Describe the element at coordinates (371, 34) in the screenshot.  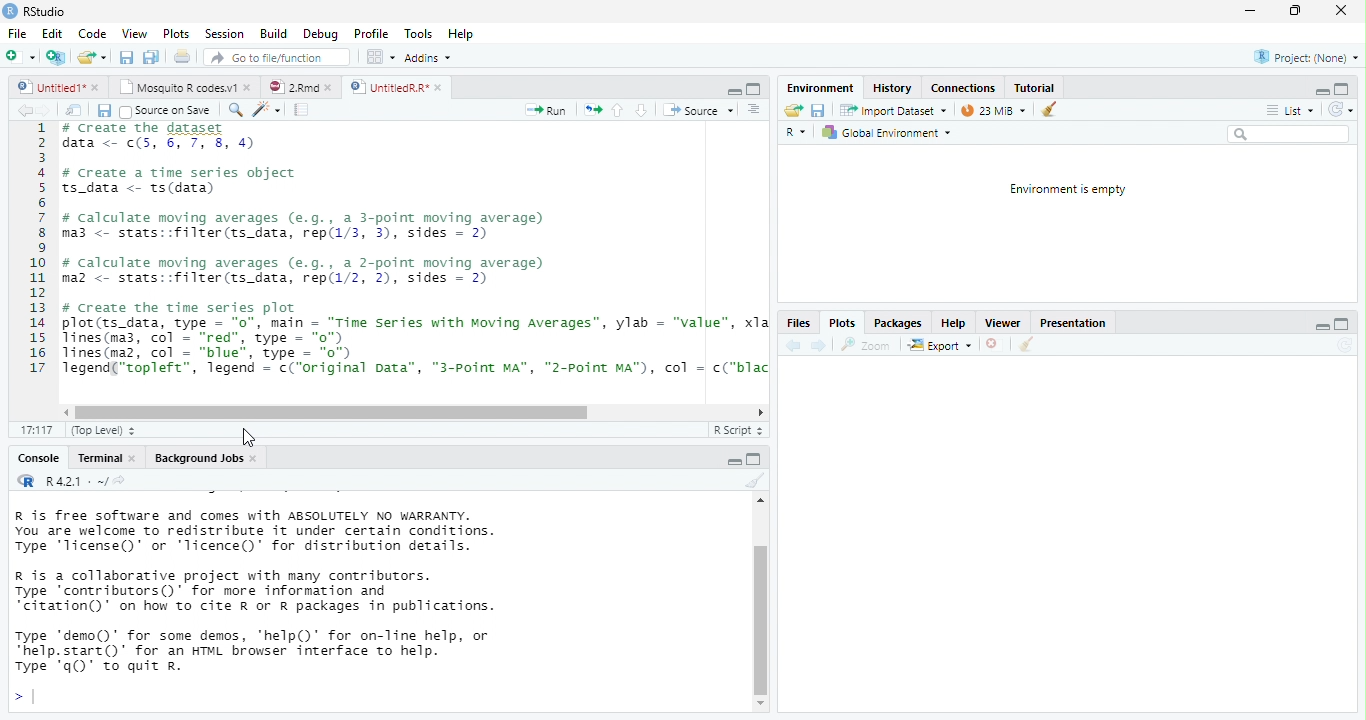
I see `Profile` at that location.